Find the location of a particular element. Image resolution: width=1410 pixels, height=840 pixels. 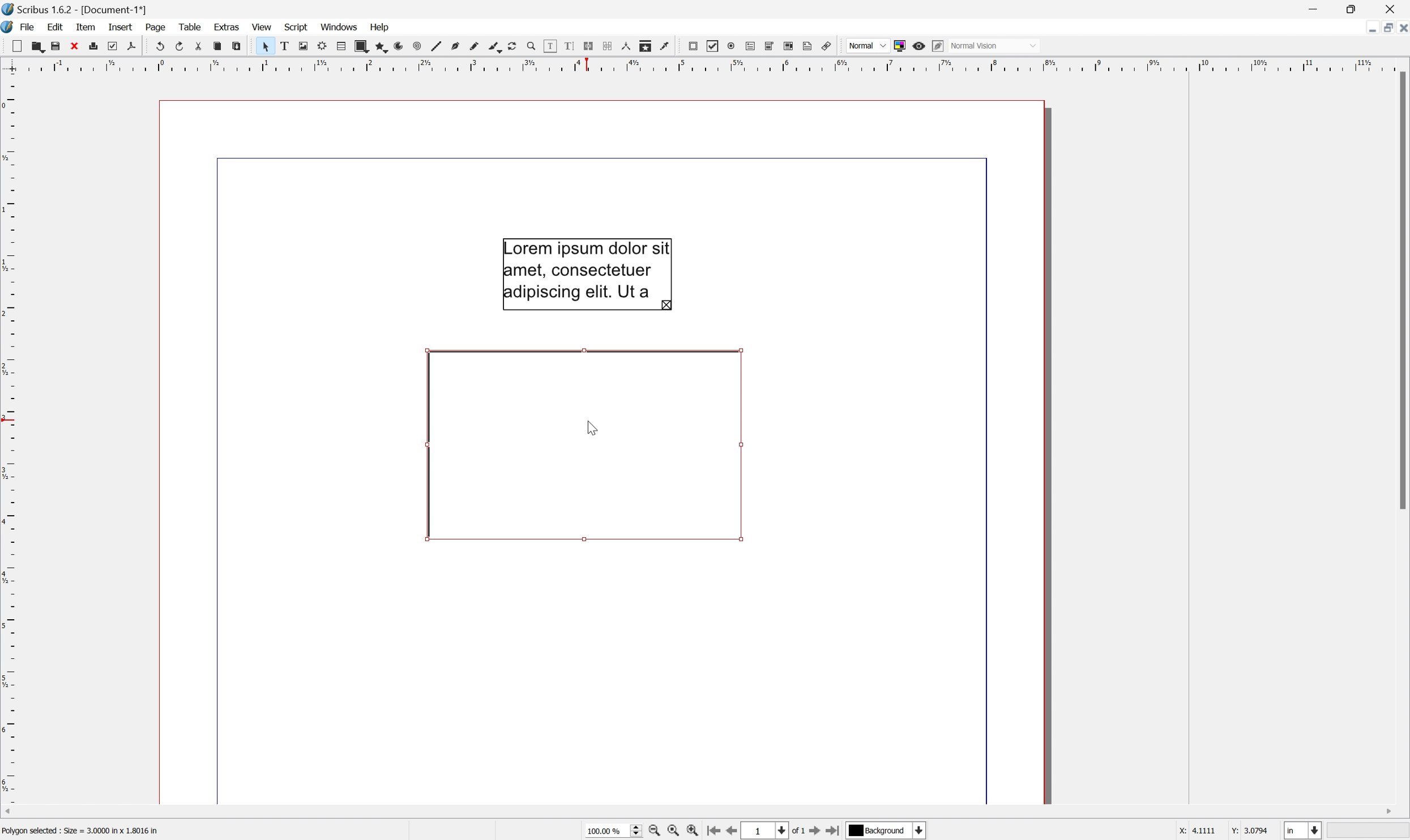

Zoom in or out is located at coordinates (529, 46).